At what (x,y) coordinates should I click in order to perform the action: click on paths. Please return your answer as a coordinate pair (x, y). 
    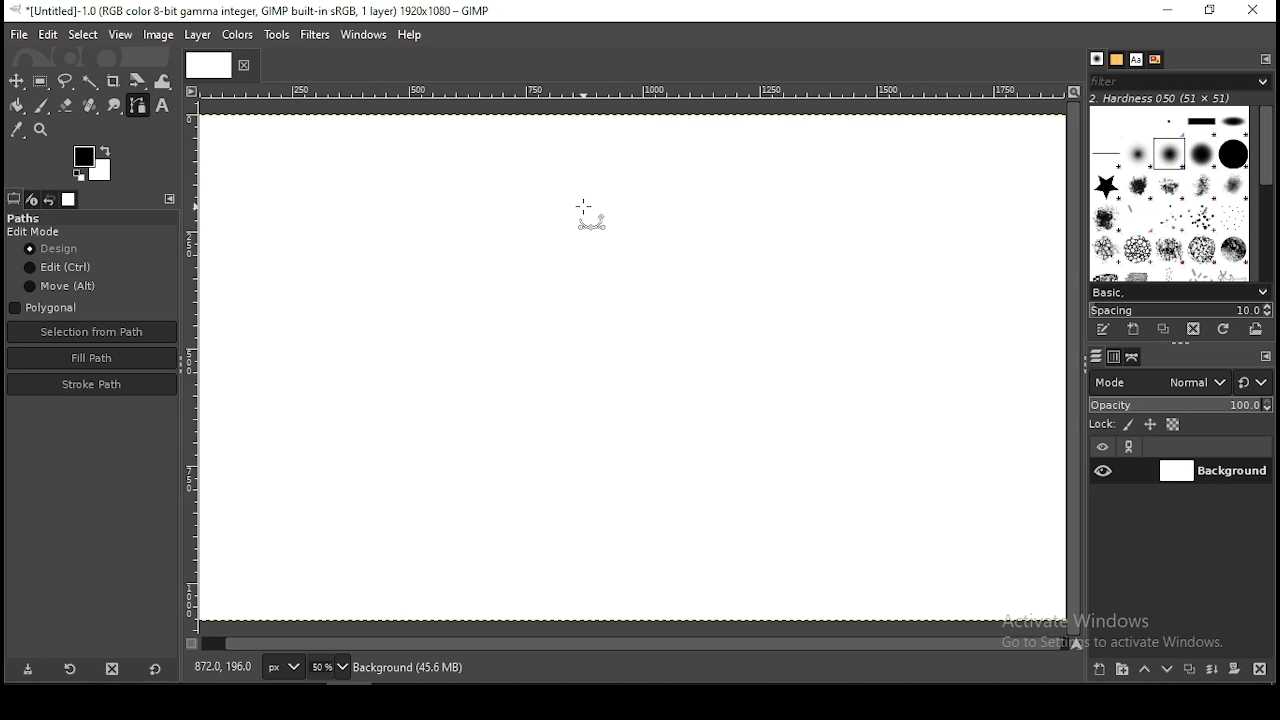
    Looking at the image, I should click on (1133, 357).